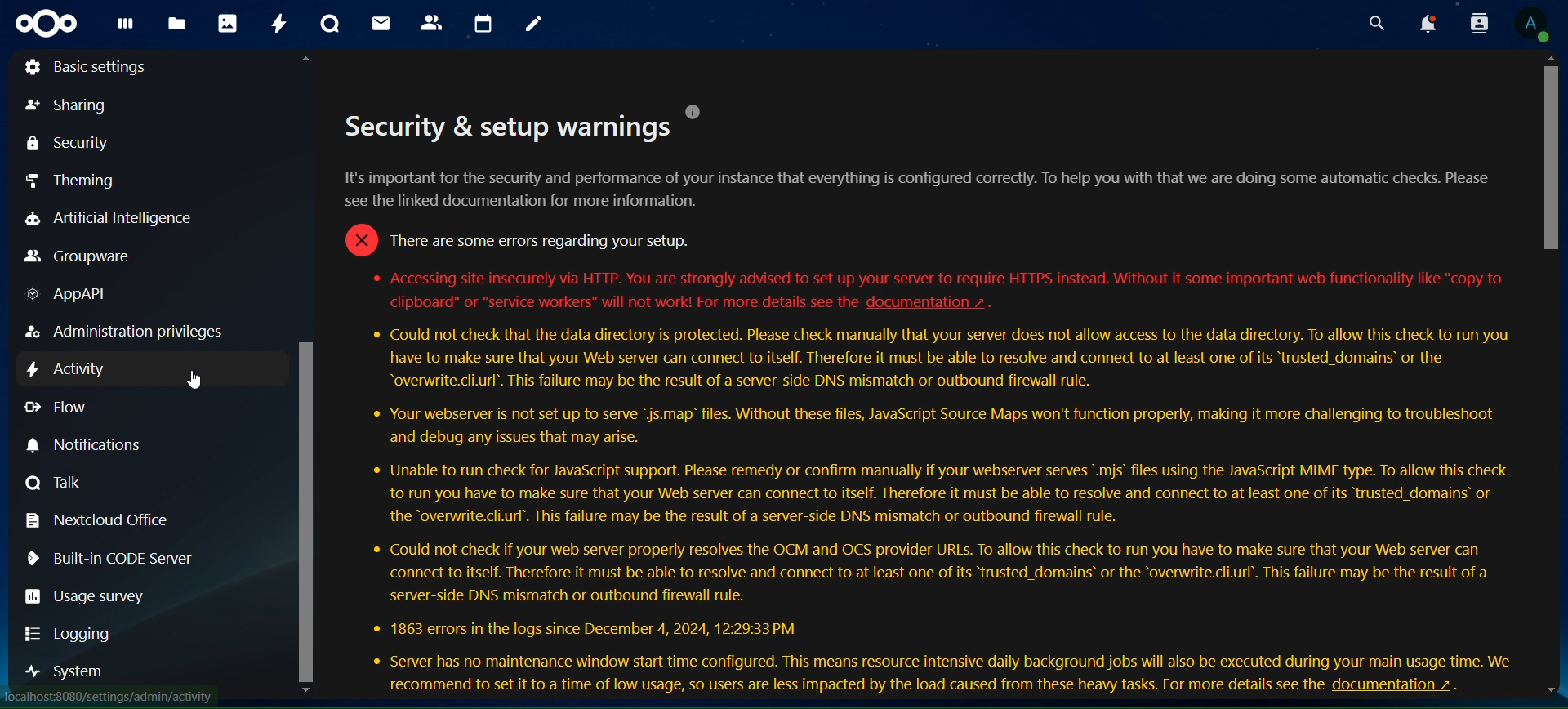 The height and width of the screenshot is (709, 1568). What do you see at coordinates (484, 24) in the screenshot?
I see `calendar` at bounding box center [484, 24].